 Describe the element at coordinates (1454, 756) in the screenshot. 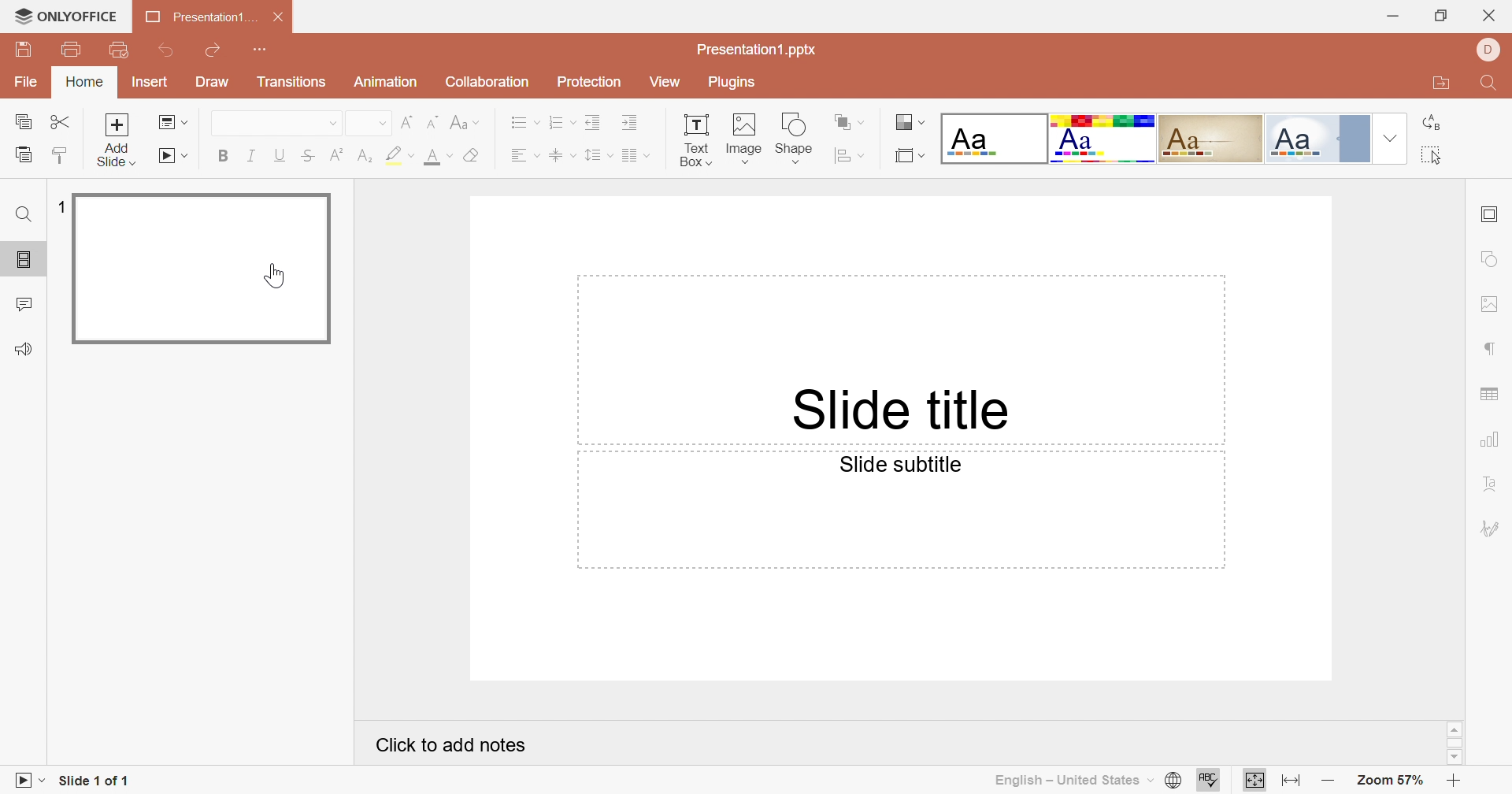

I see `Scroll down` at that location.